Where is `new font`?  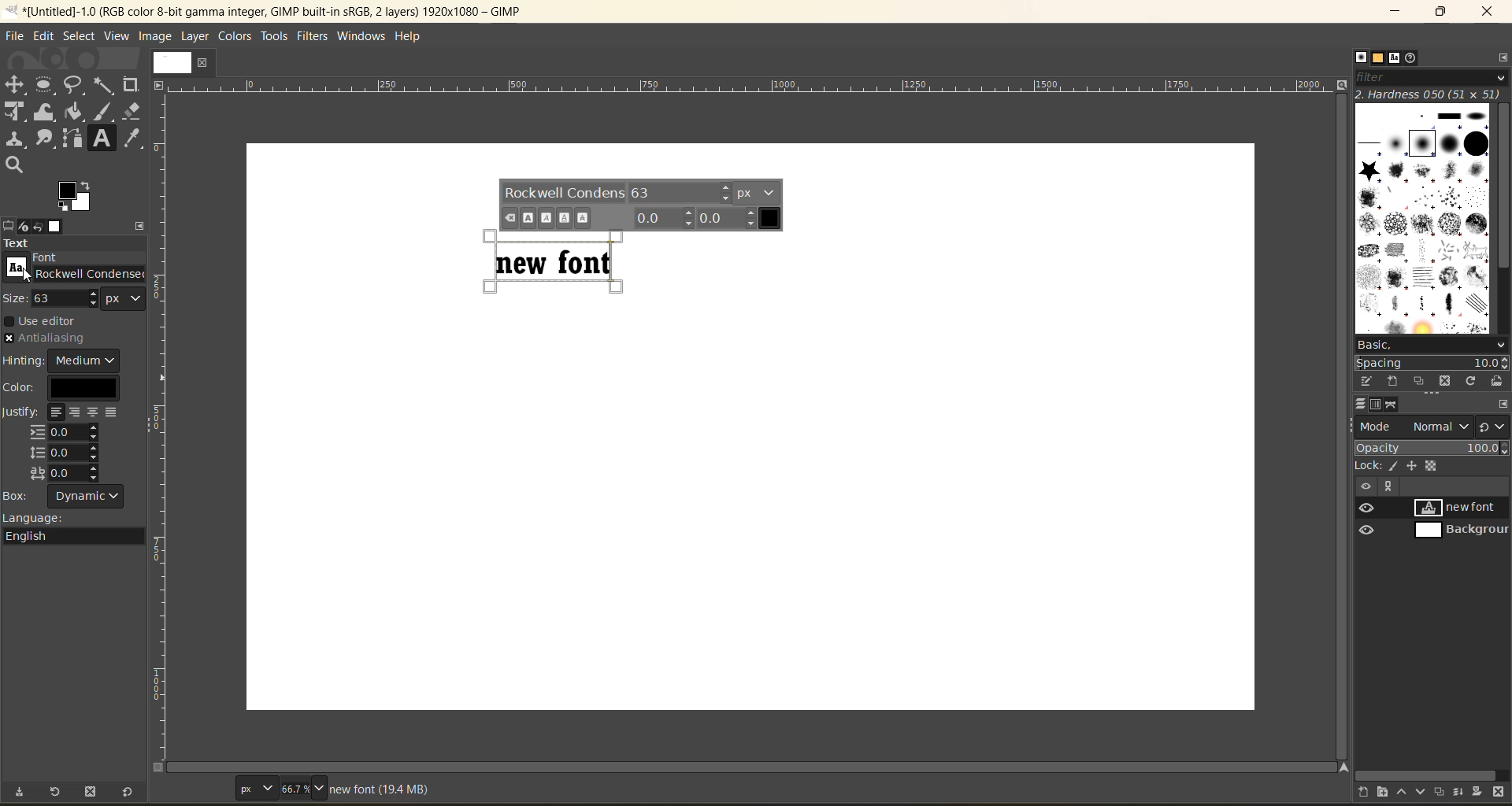 new font is located at coordinates (1464, 509).